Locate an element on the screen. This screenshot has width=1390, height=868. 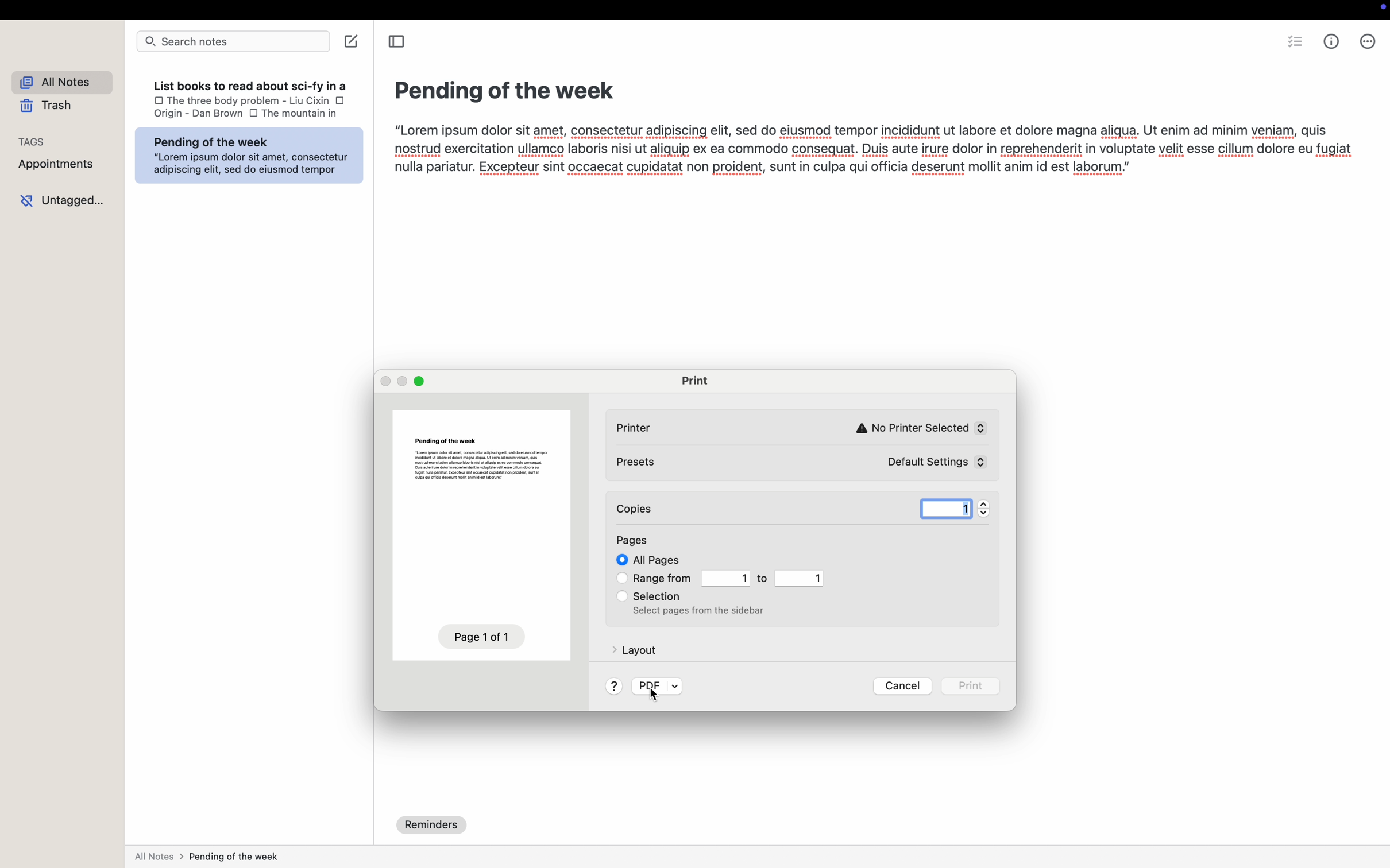
checkbox is located at coordinates (340, 102).